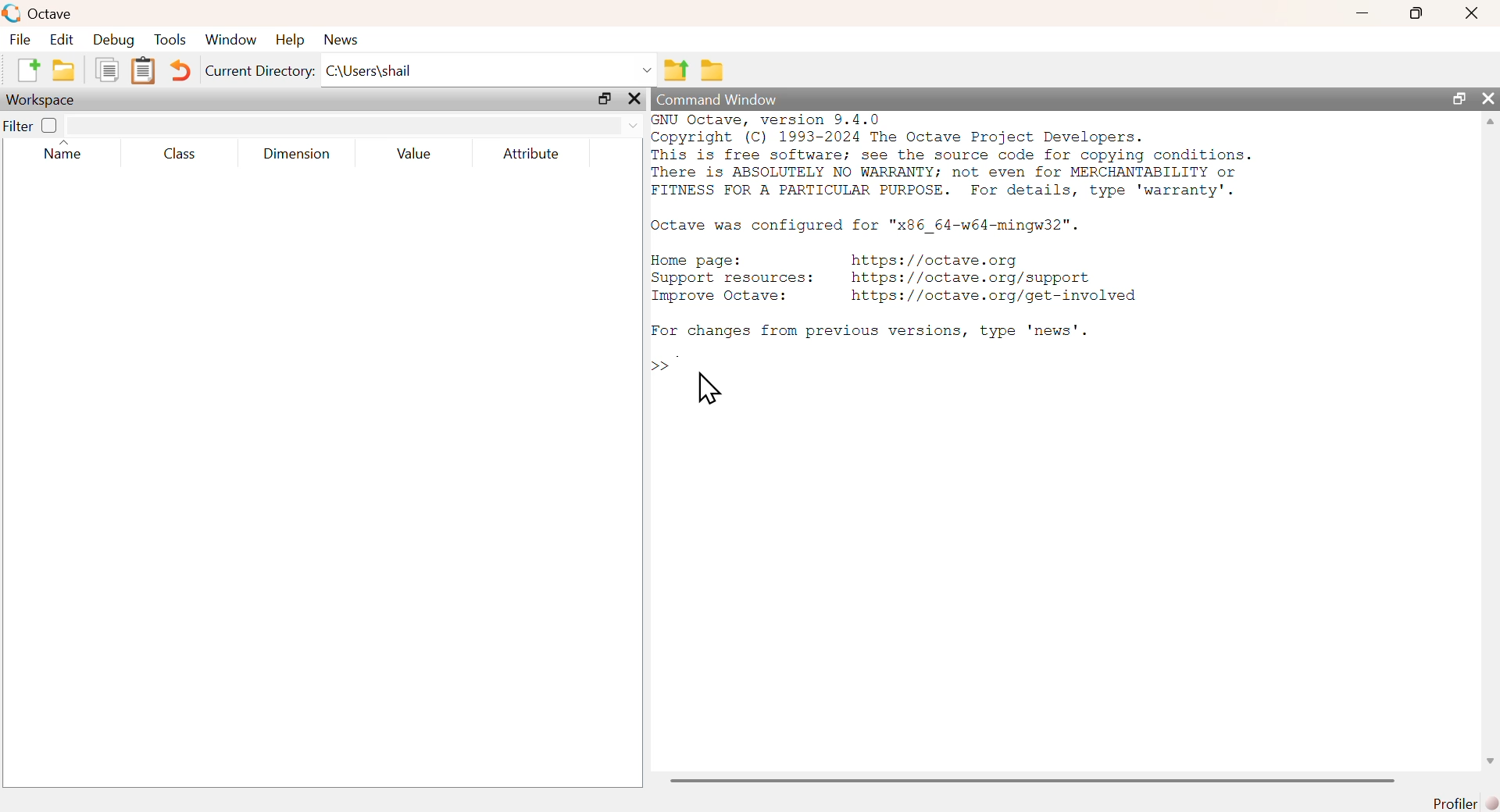 The width and height of the screenshot is (1500, 812). What do you see at coordinates (1415, 13) in the screenshot?
I see `maximize` at bounding box center [1415, 13].